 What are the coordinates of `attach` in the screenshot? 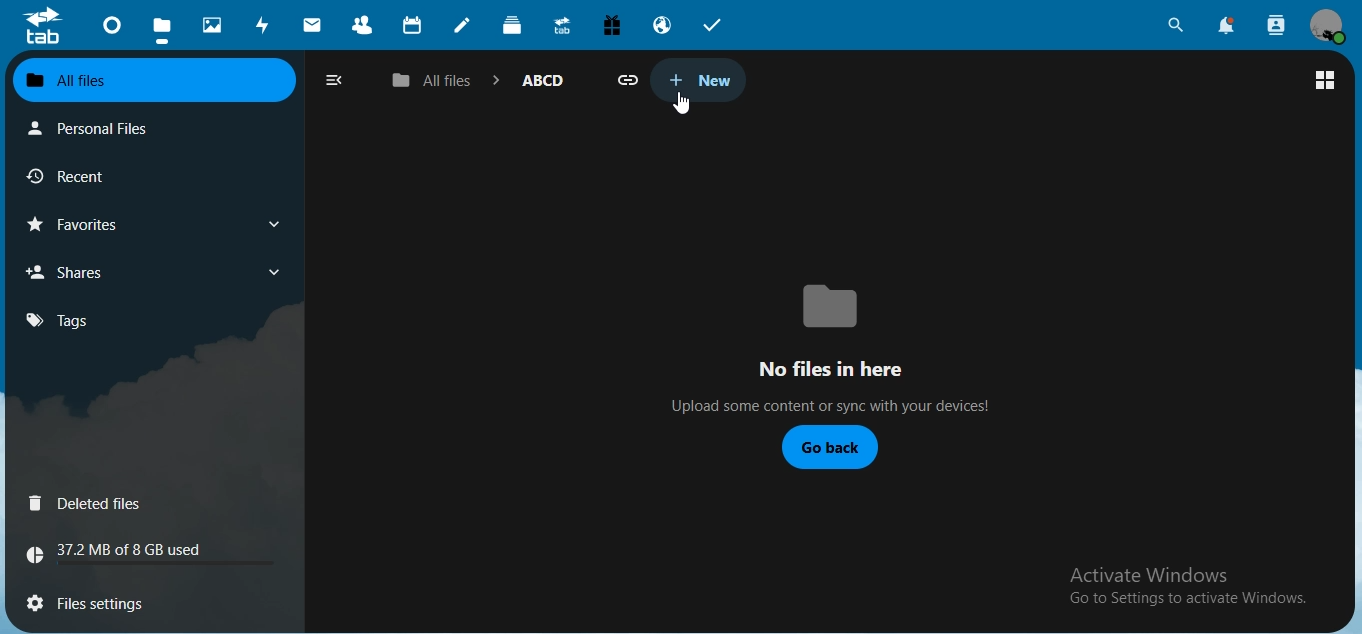 It's located at (630, 81).